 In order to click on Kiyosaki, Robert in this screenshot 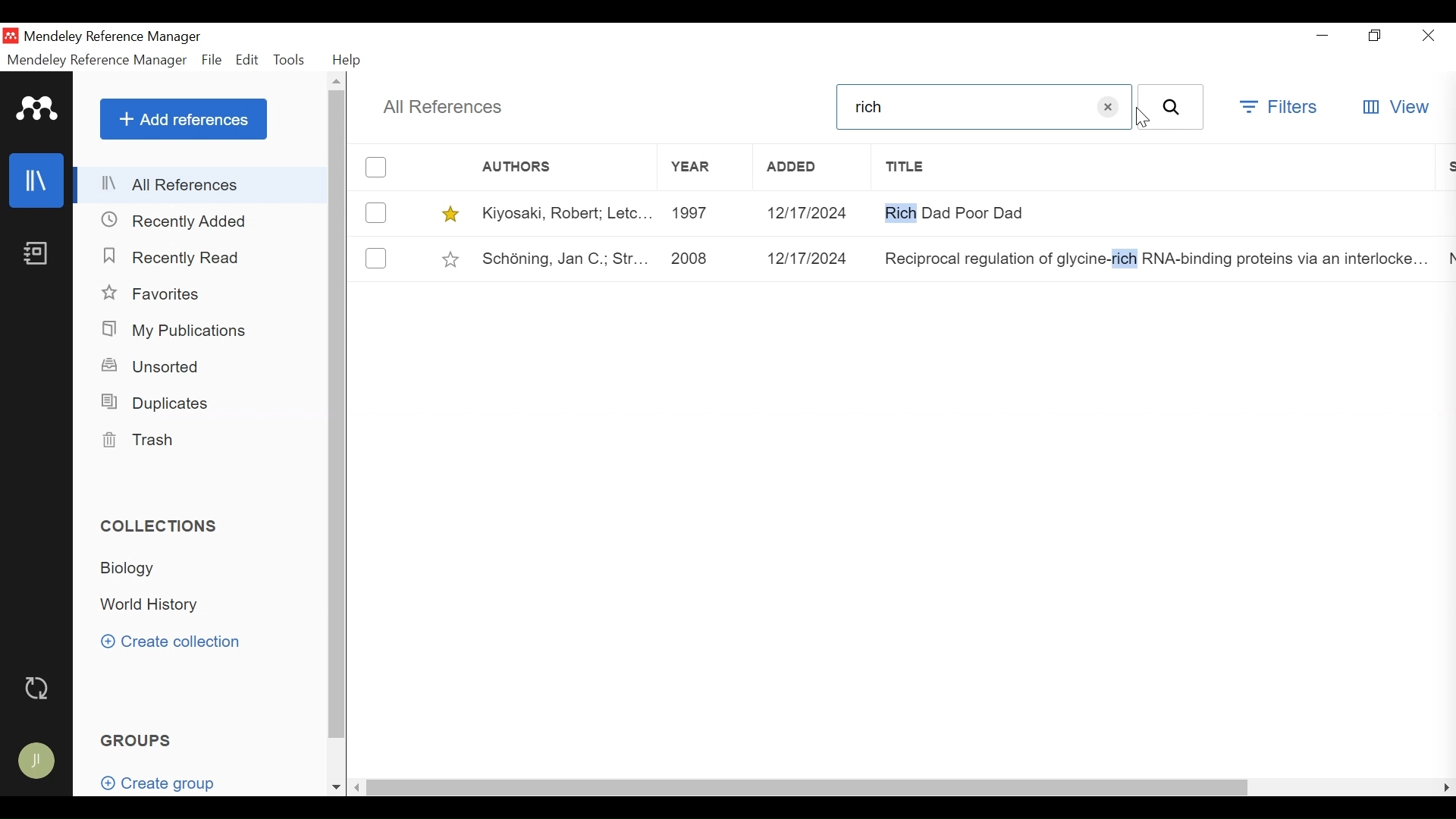, I will do `click(563, 212)`.